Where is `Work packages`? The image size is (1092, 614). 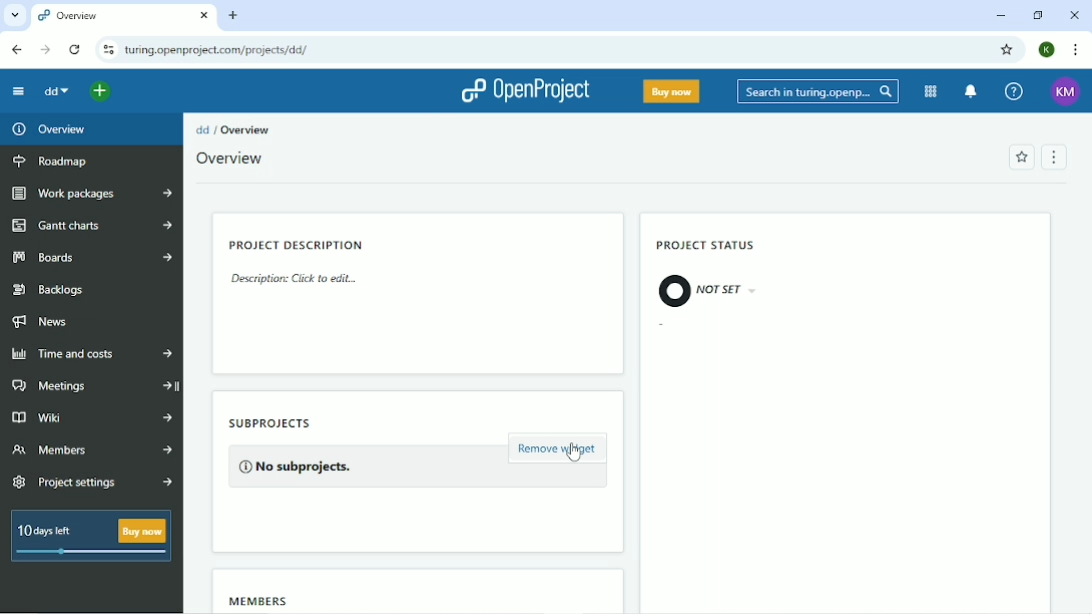
Work packages is located at coordinates (93, 194).